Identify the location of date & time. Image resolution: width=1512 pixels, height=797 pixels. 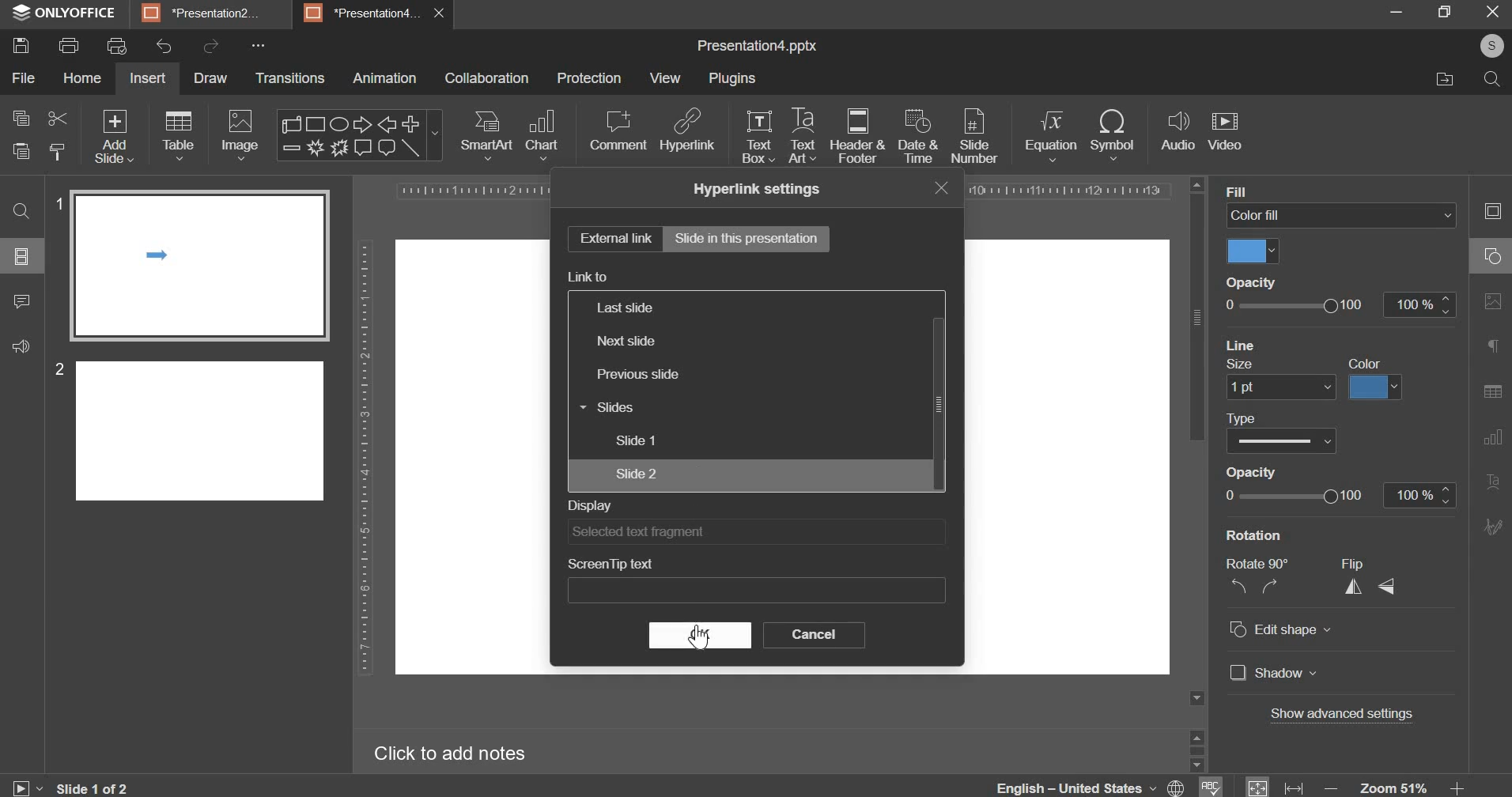
(920, 138).